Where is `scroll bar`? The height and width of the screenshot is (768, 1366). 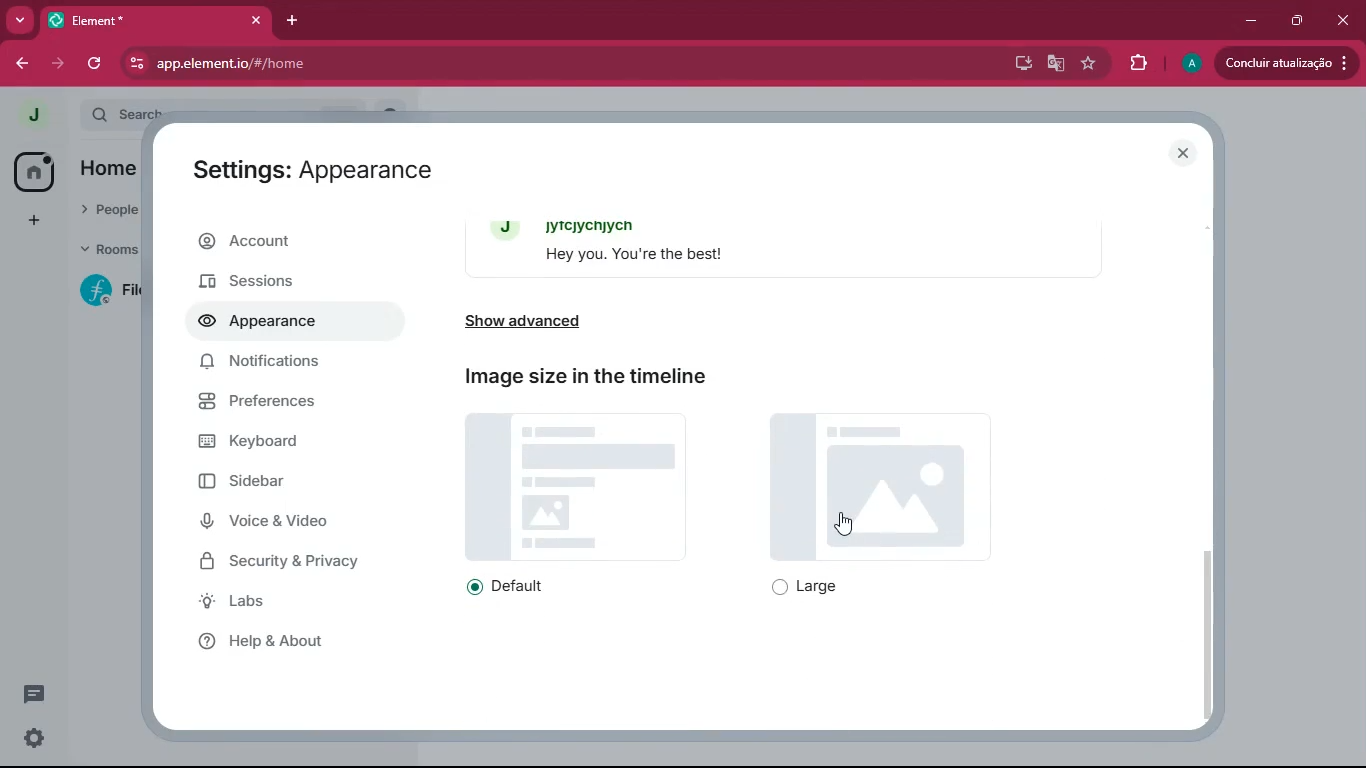
scroll bar is located at coordinates (1213, 633).